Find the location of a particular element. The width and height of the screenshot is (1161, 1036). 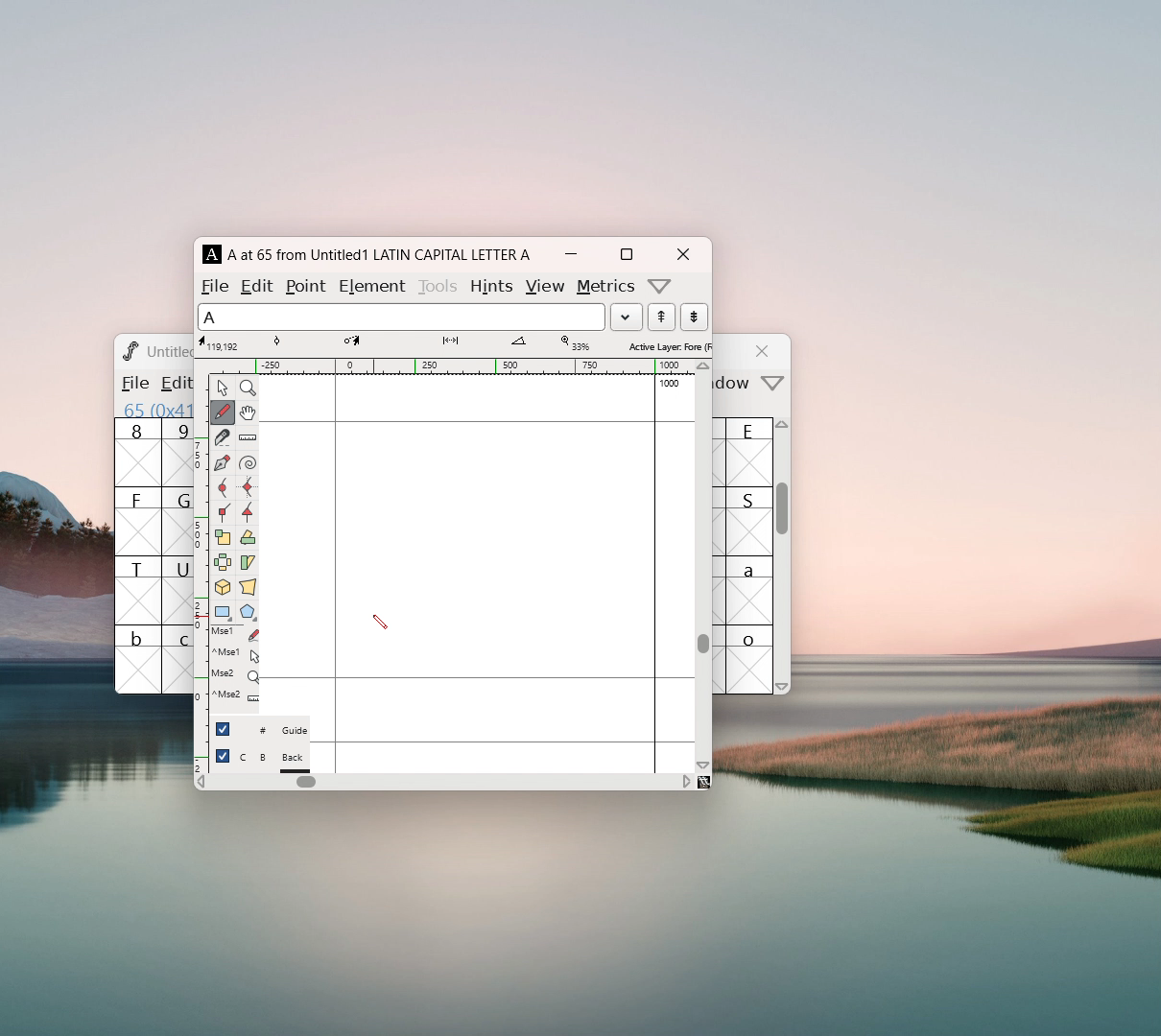

selected layer is located at coordinates (667, 345).